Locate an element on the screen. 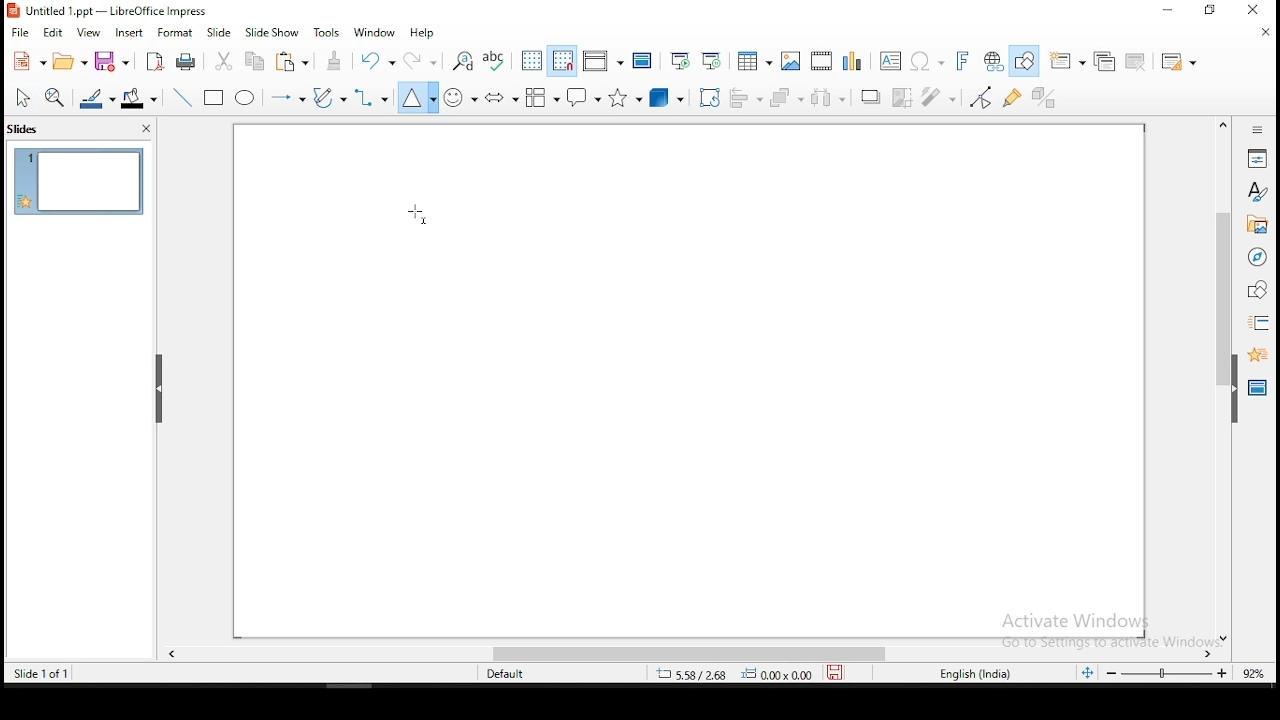  view is located at coordinates (89, 33).